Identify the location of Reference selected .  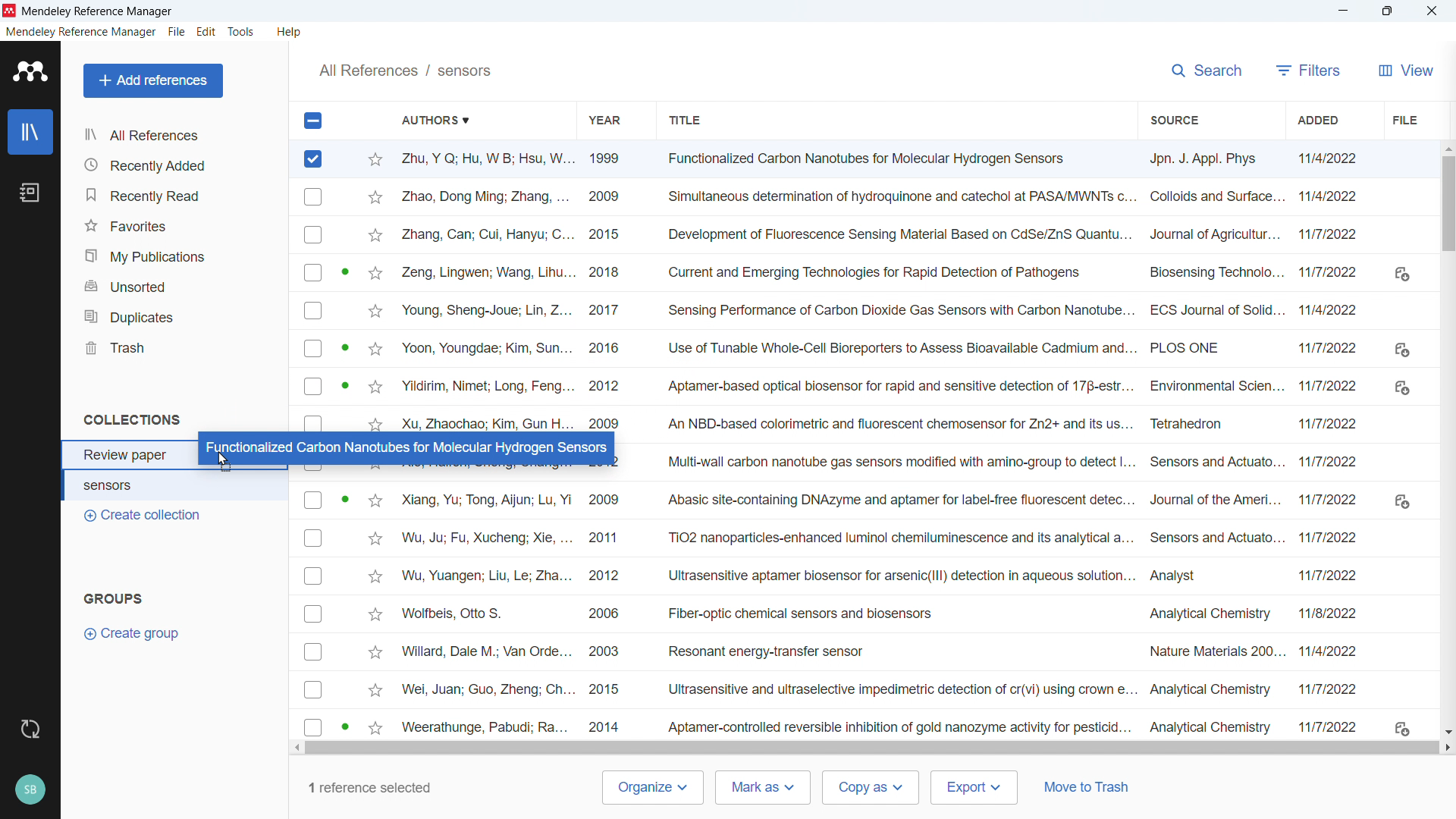
(314, 159).